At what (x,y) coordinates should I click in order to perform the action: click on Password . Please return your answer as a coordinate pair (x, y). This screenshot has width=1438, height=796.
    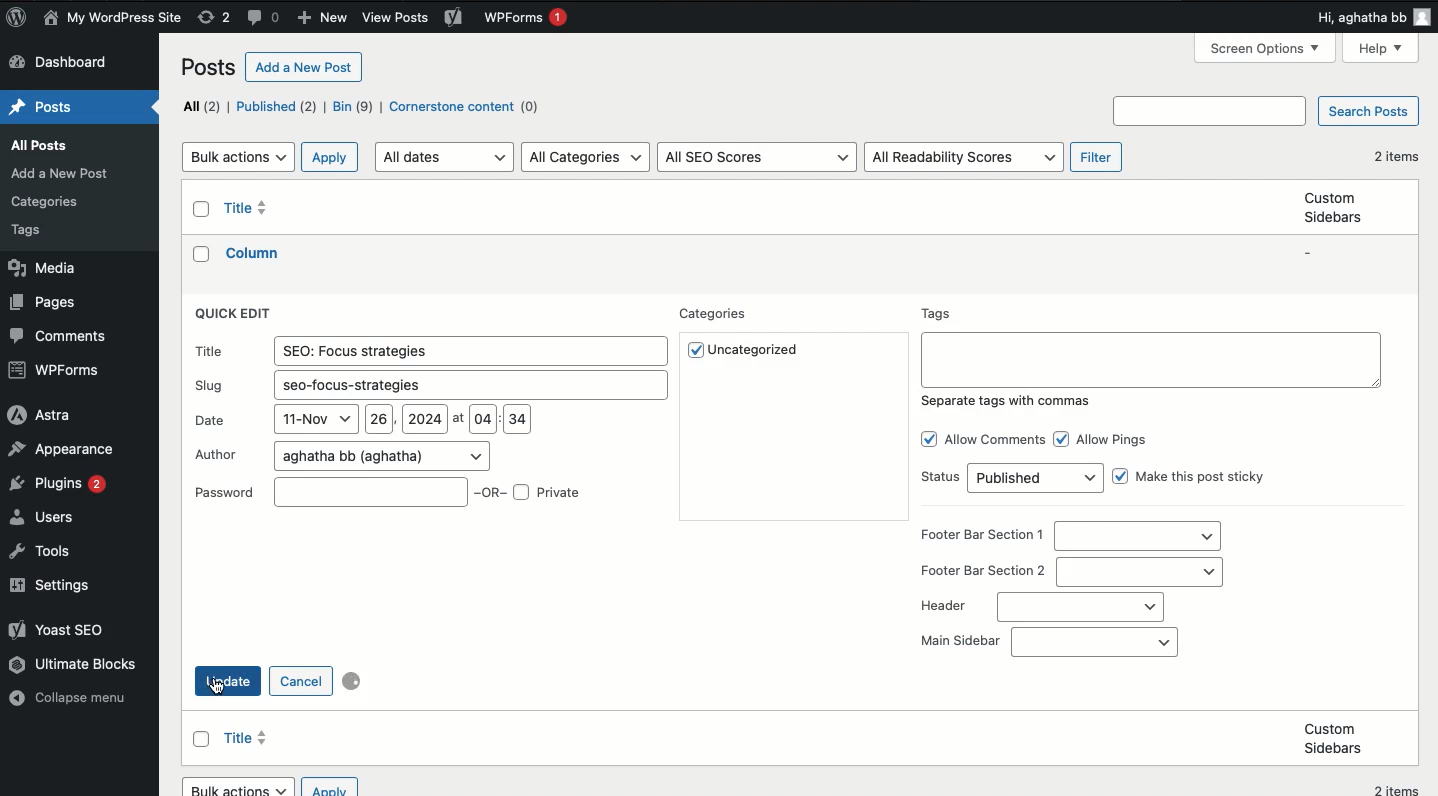
    Looking at the image, I should click on (369, 491).